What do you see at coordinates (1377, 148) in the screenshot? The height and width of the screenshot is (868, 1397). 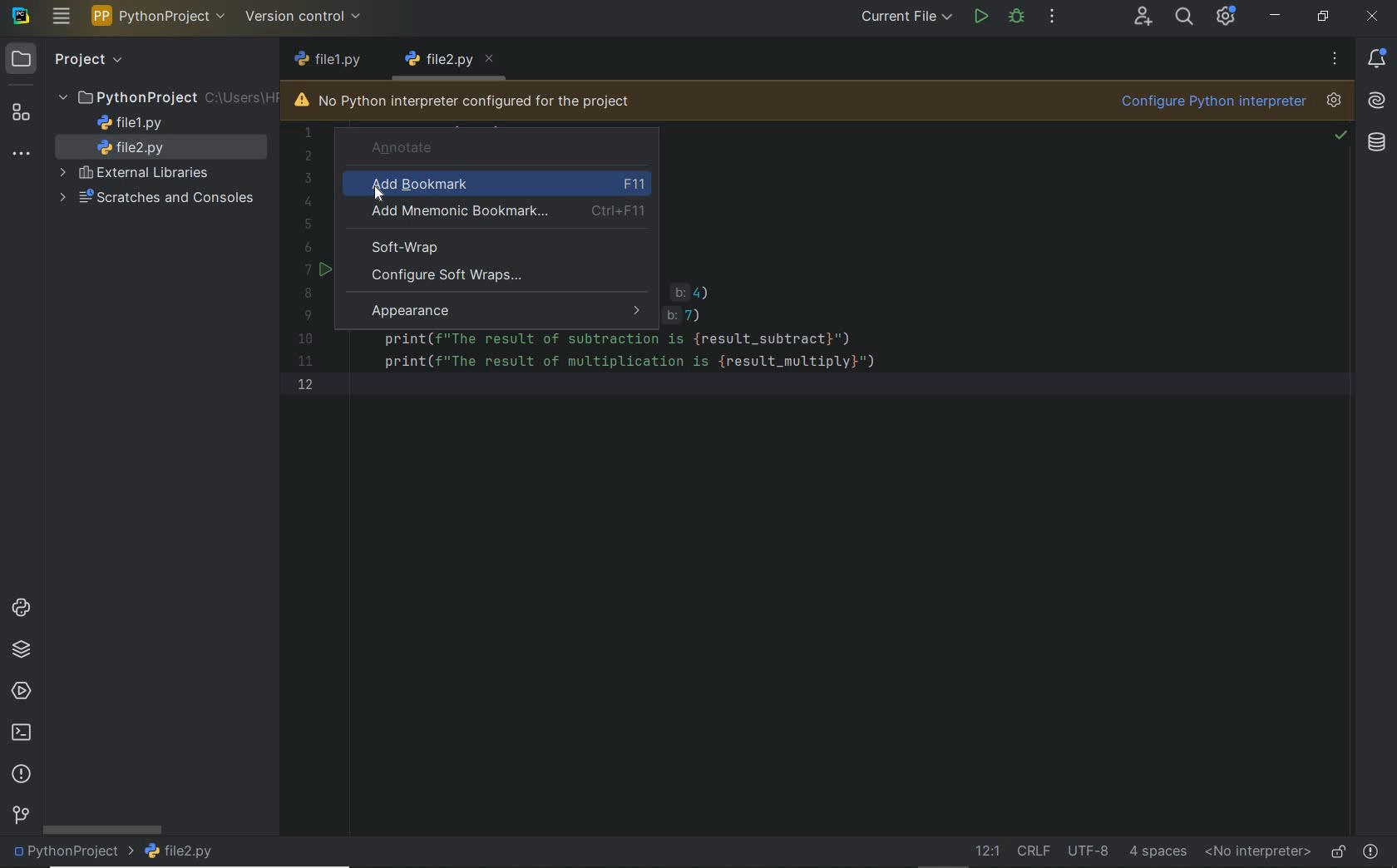 I see `Database` at bounding box center [1377, 148].